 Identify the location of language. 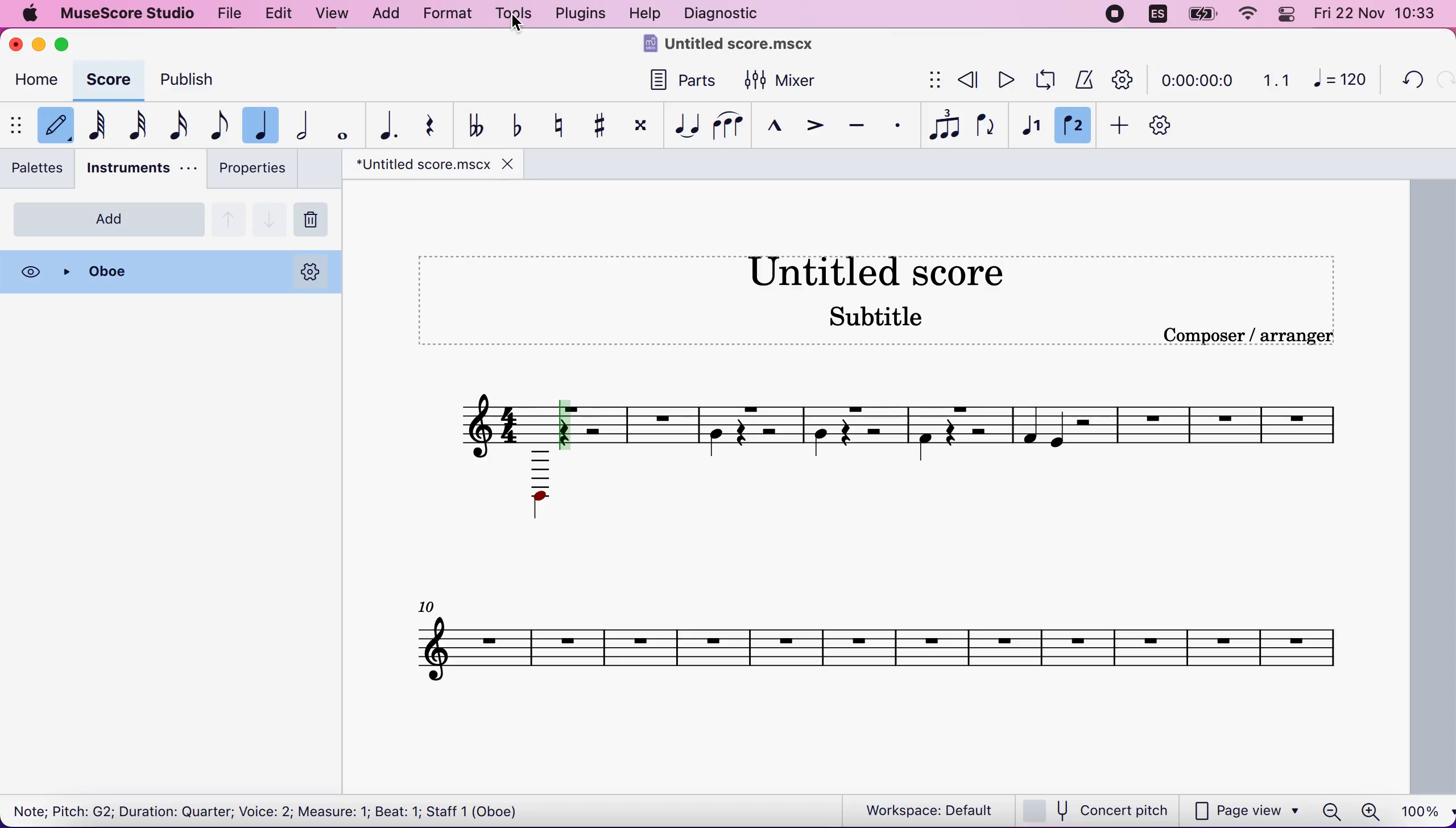
(1155, 15).